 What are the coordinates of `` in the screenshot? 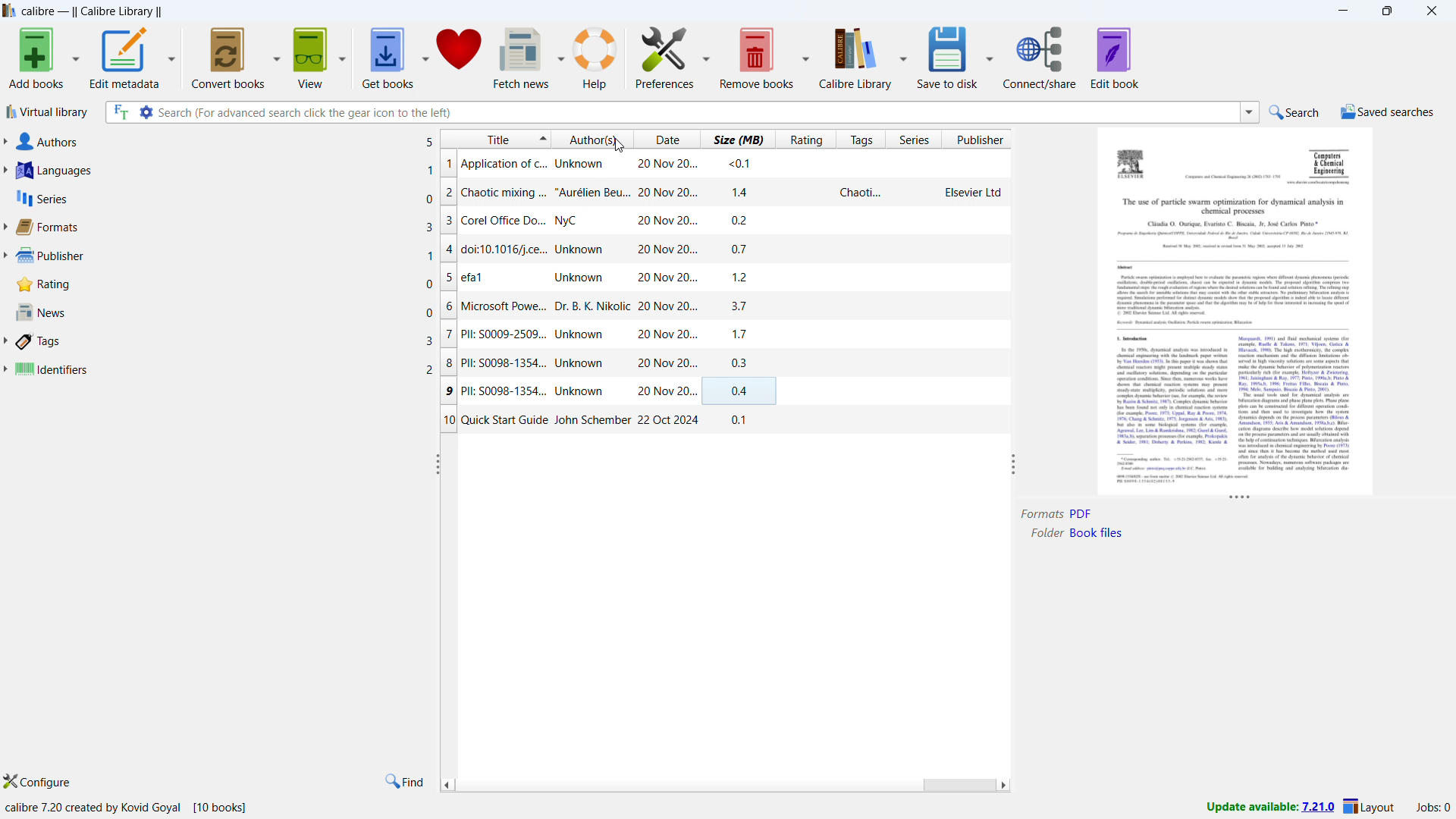 It's located at (1227, 176).